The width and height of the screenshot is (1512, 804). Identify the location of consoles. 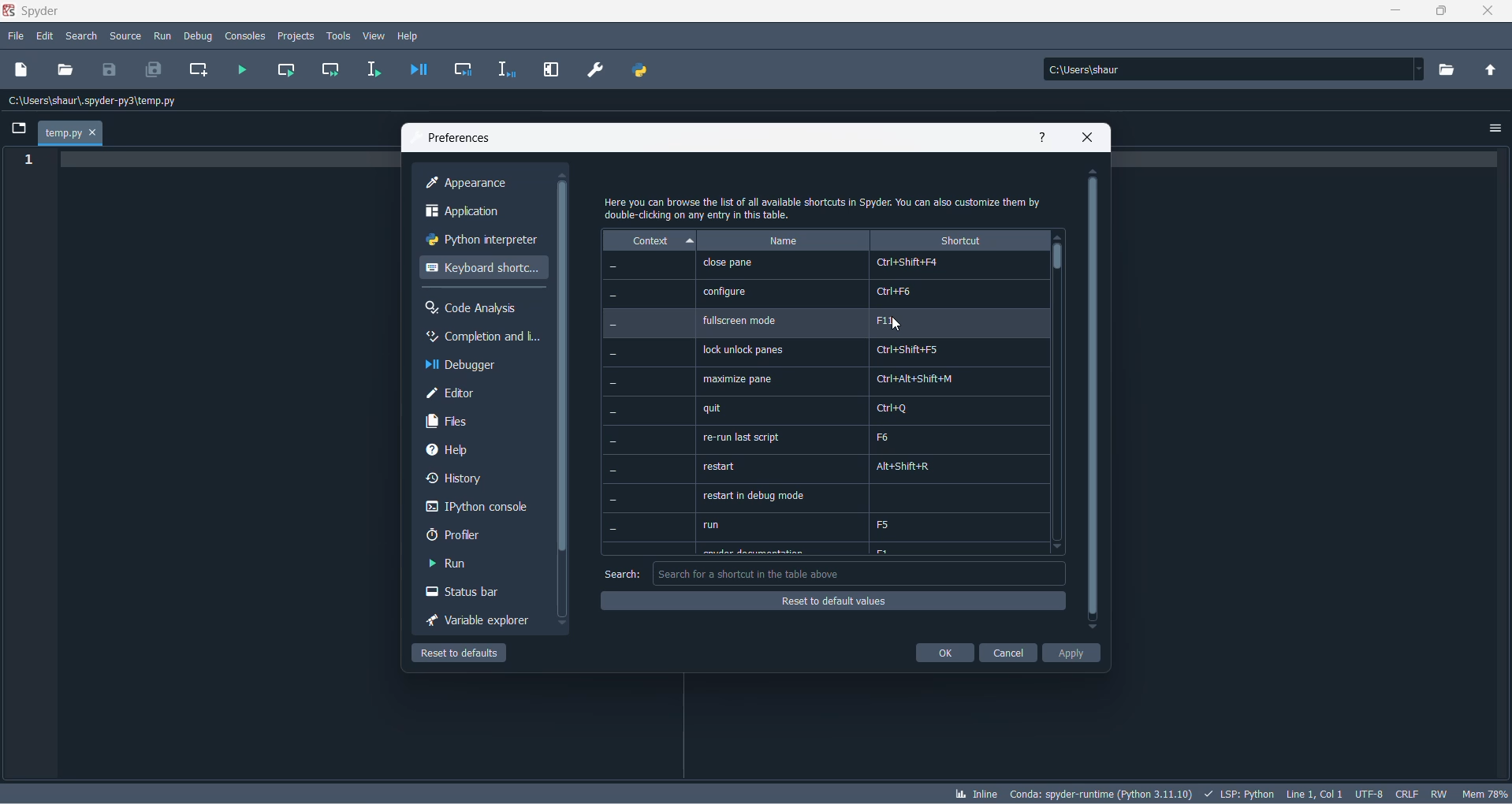
(245, 35).